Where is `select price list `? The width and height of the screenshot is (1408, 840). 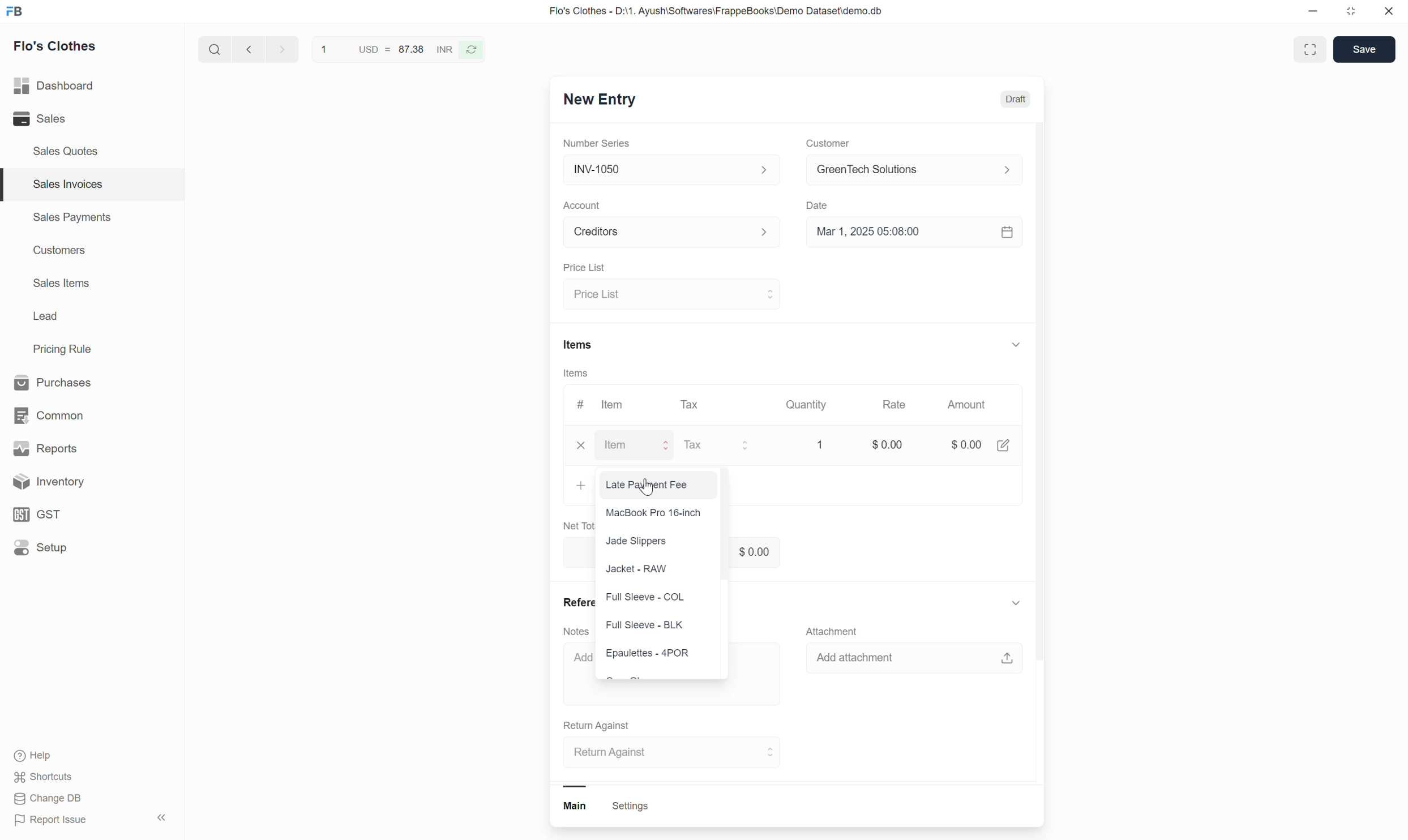
select price list  is located at coordinates (671, 294).